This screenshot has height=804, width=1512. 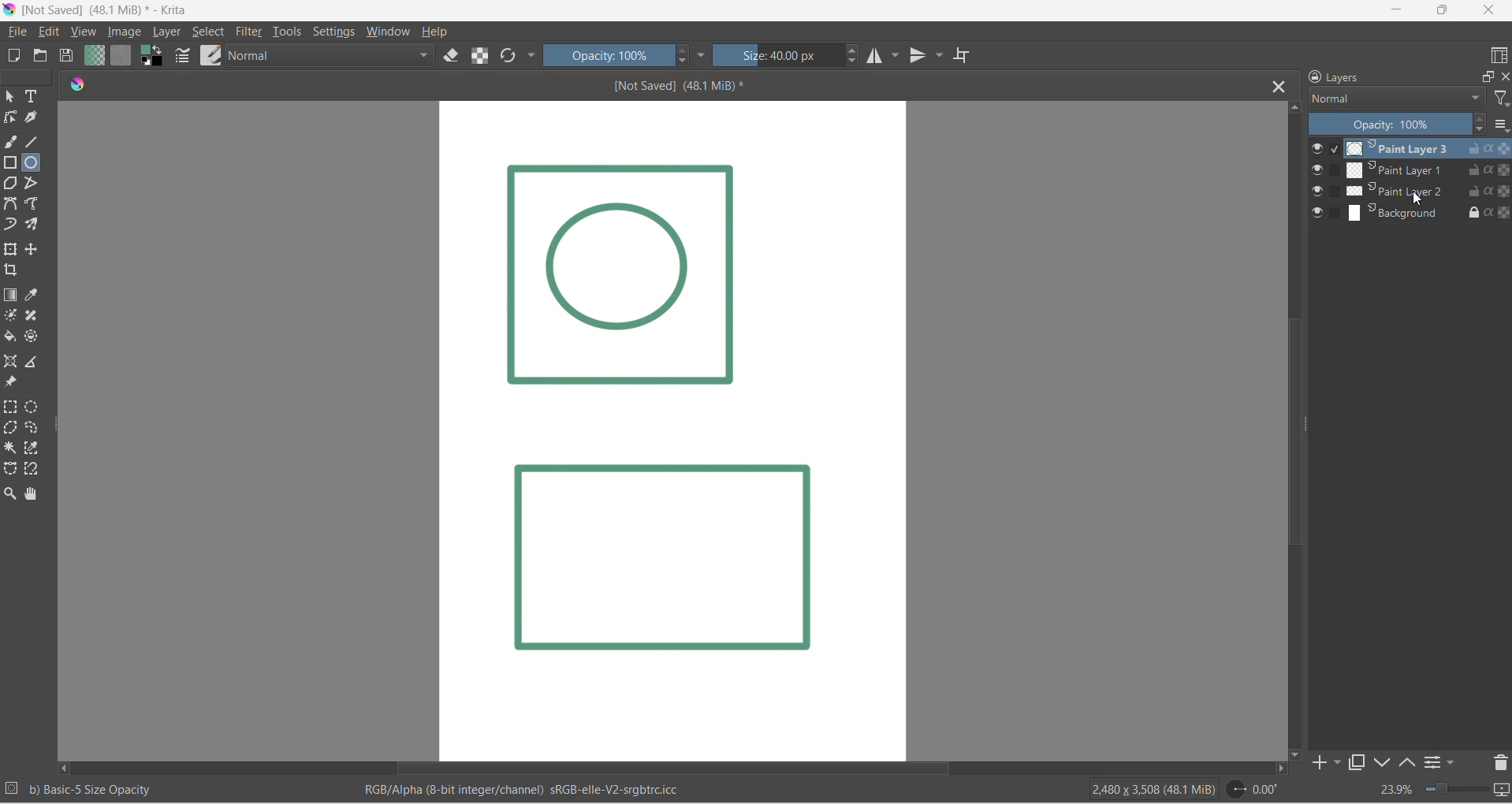 I want to click on unlock, so click(x=1470, y=188).